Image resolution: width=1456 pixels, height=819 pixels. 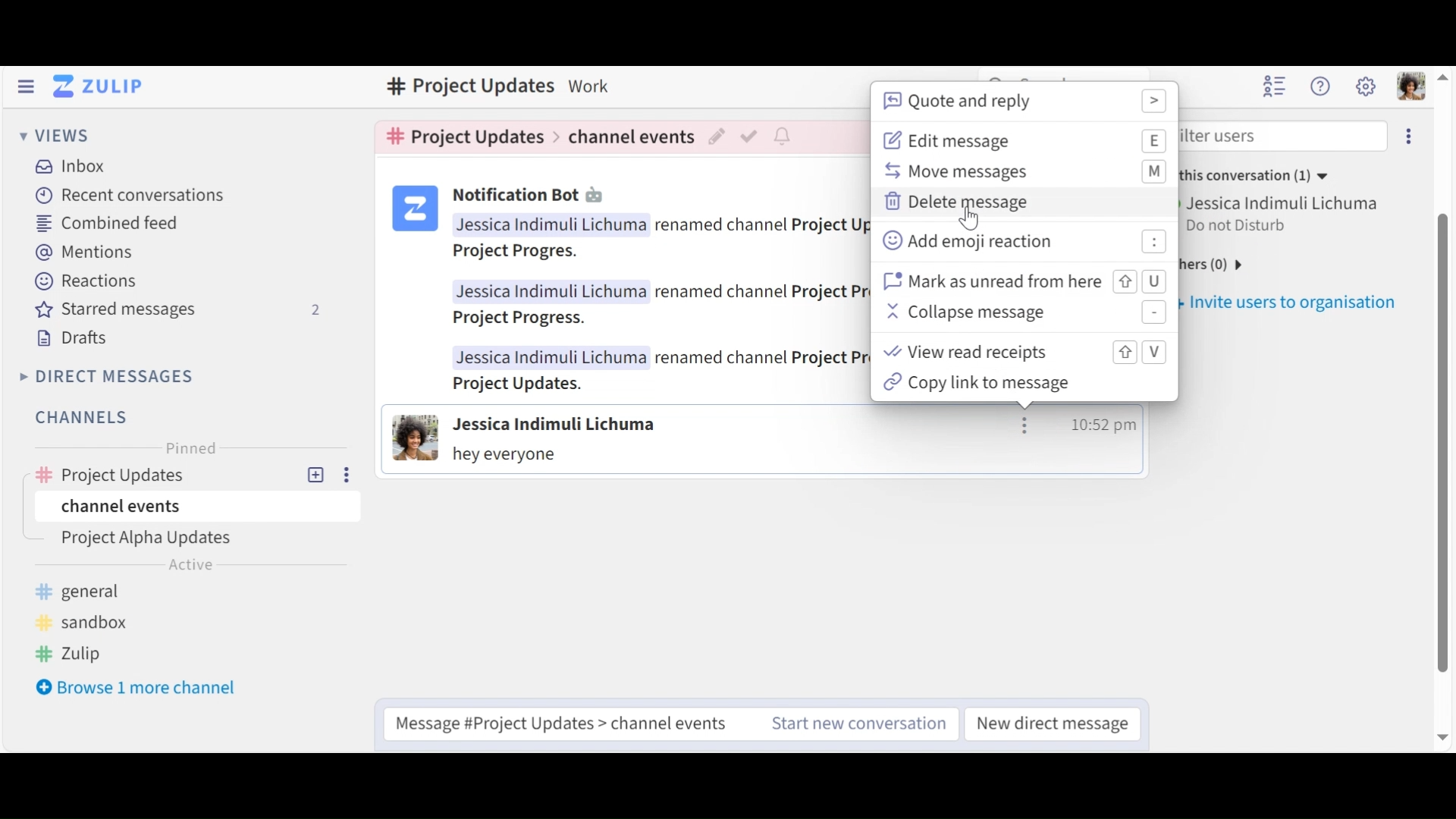 What do you see at coordinates (1025, 352) in the screenshot?
I see `View read receipts` at bounding box center [1025, 352].